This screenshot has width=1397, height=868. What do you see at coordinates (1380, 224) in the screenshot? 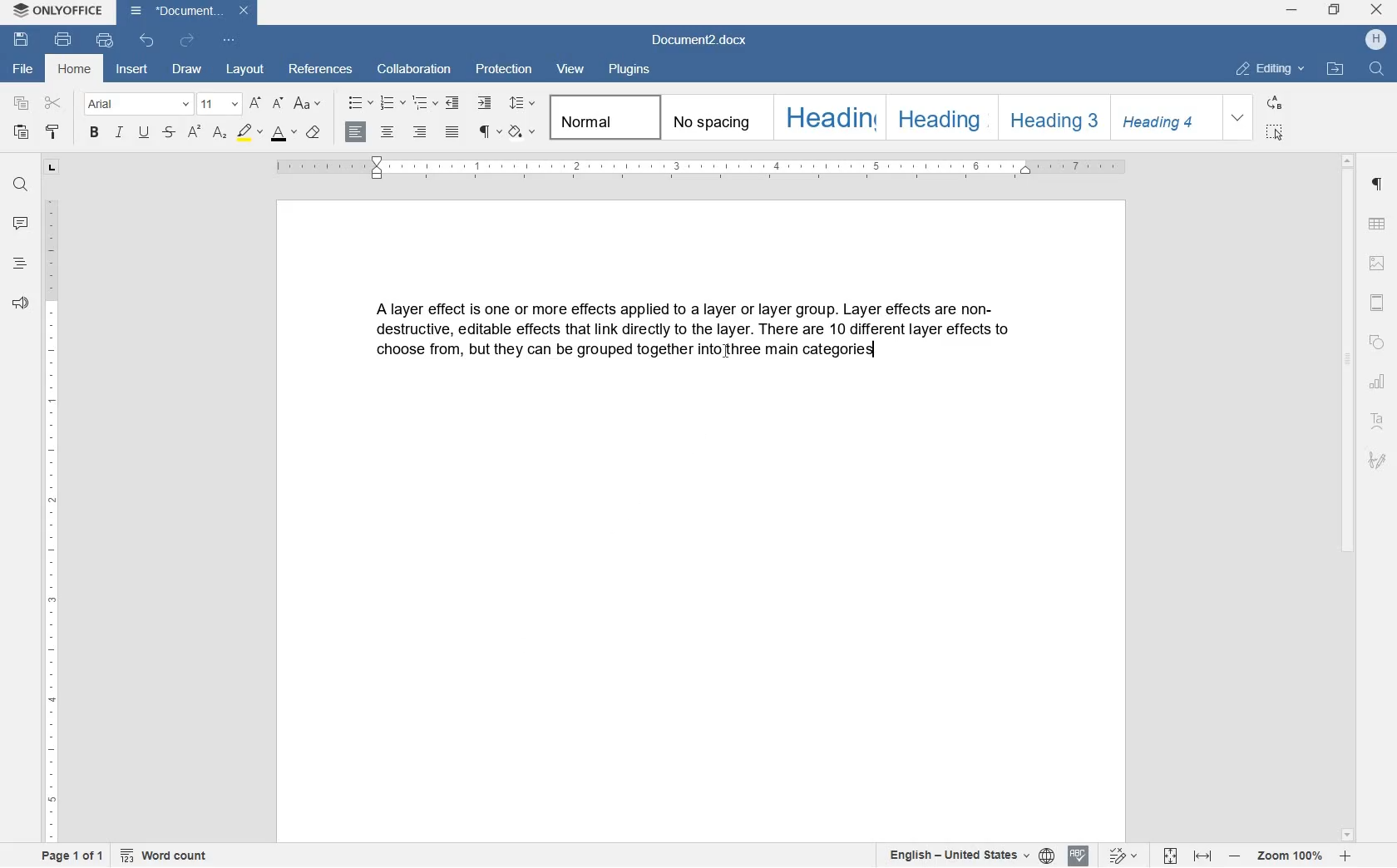
I see `table ` at bounding box center [1380, 224].